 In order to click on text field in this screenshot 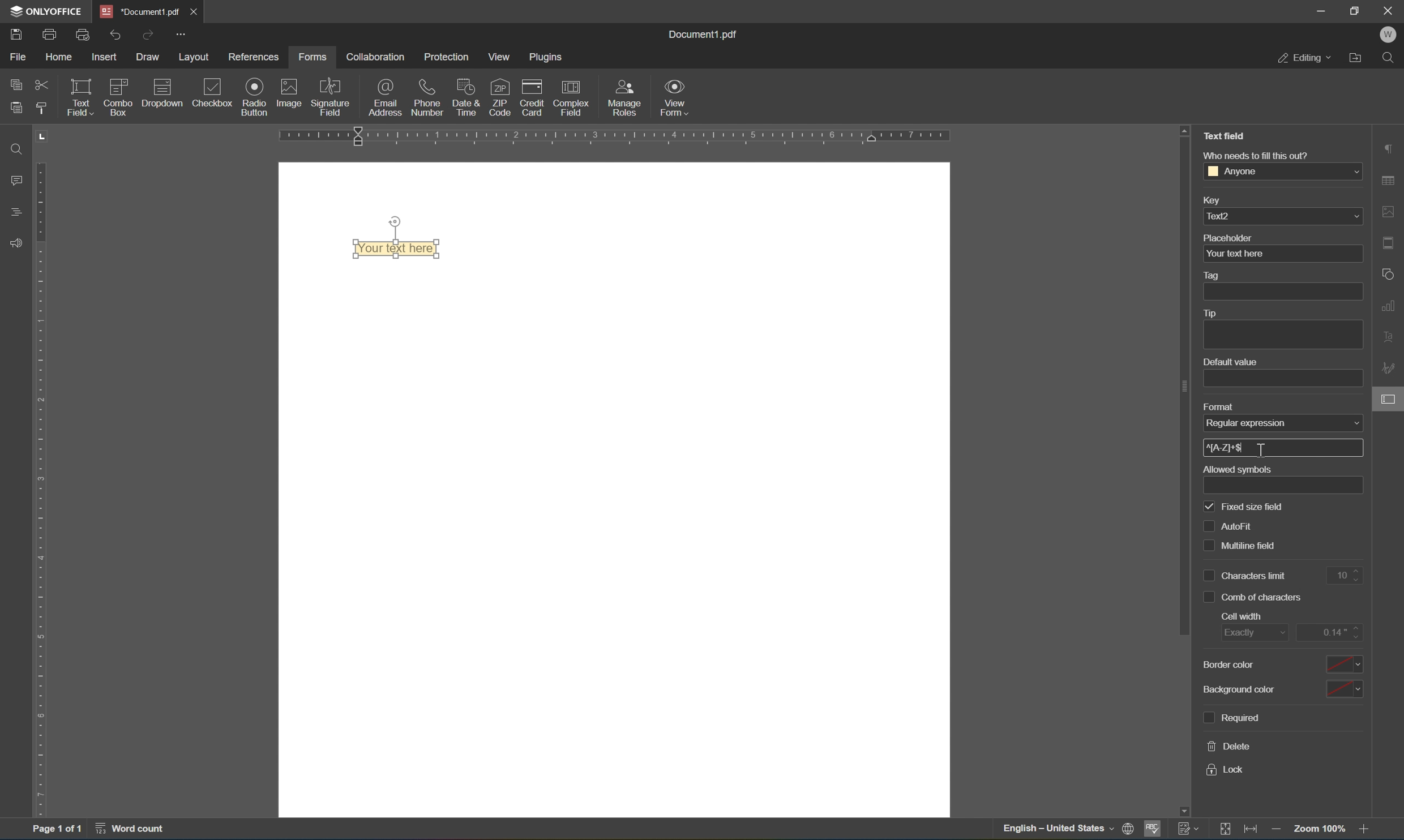, I will do `click(391, 250)`.